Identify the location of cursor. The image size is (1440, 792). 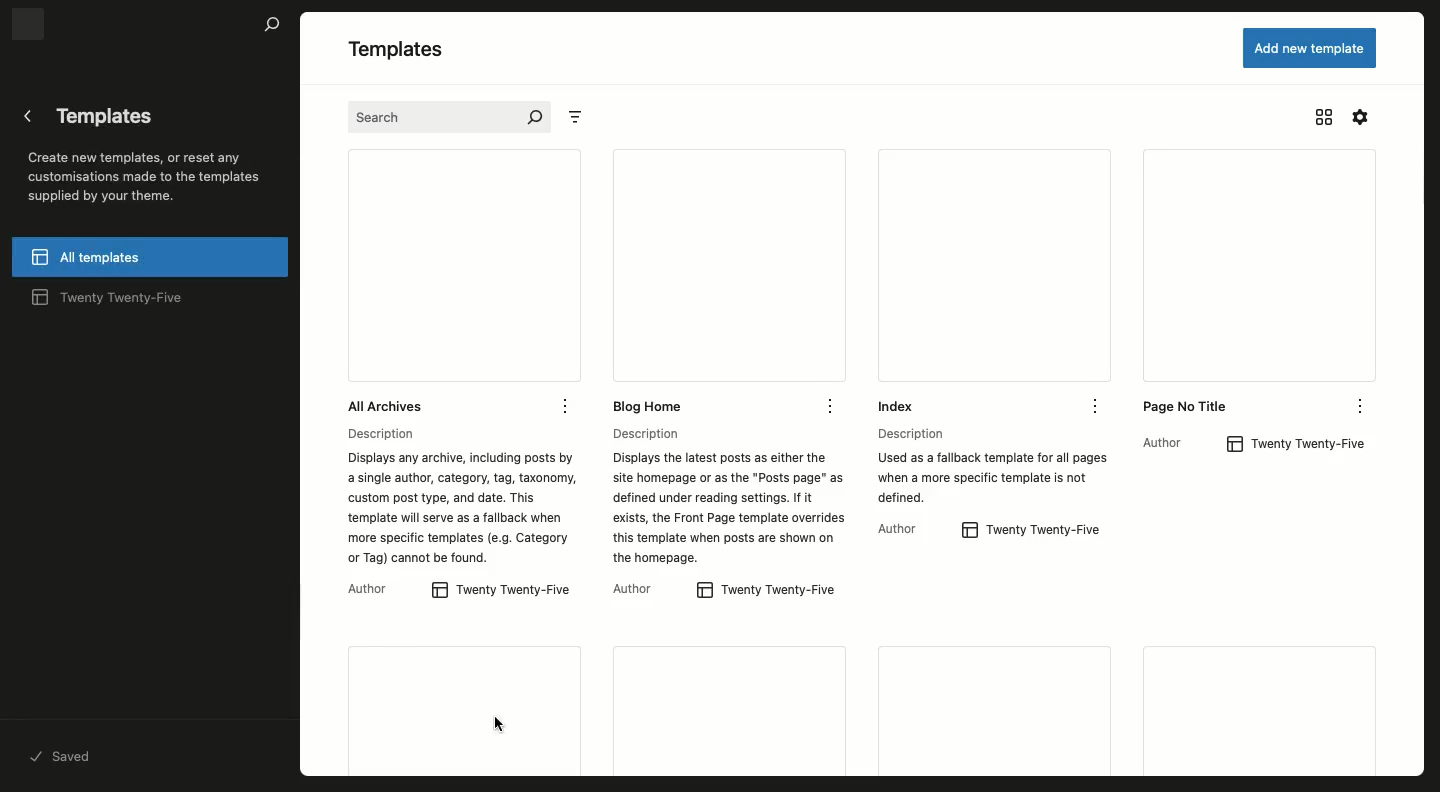
(501, 724).